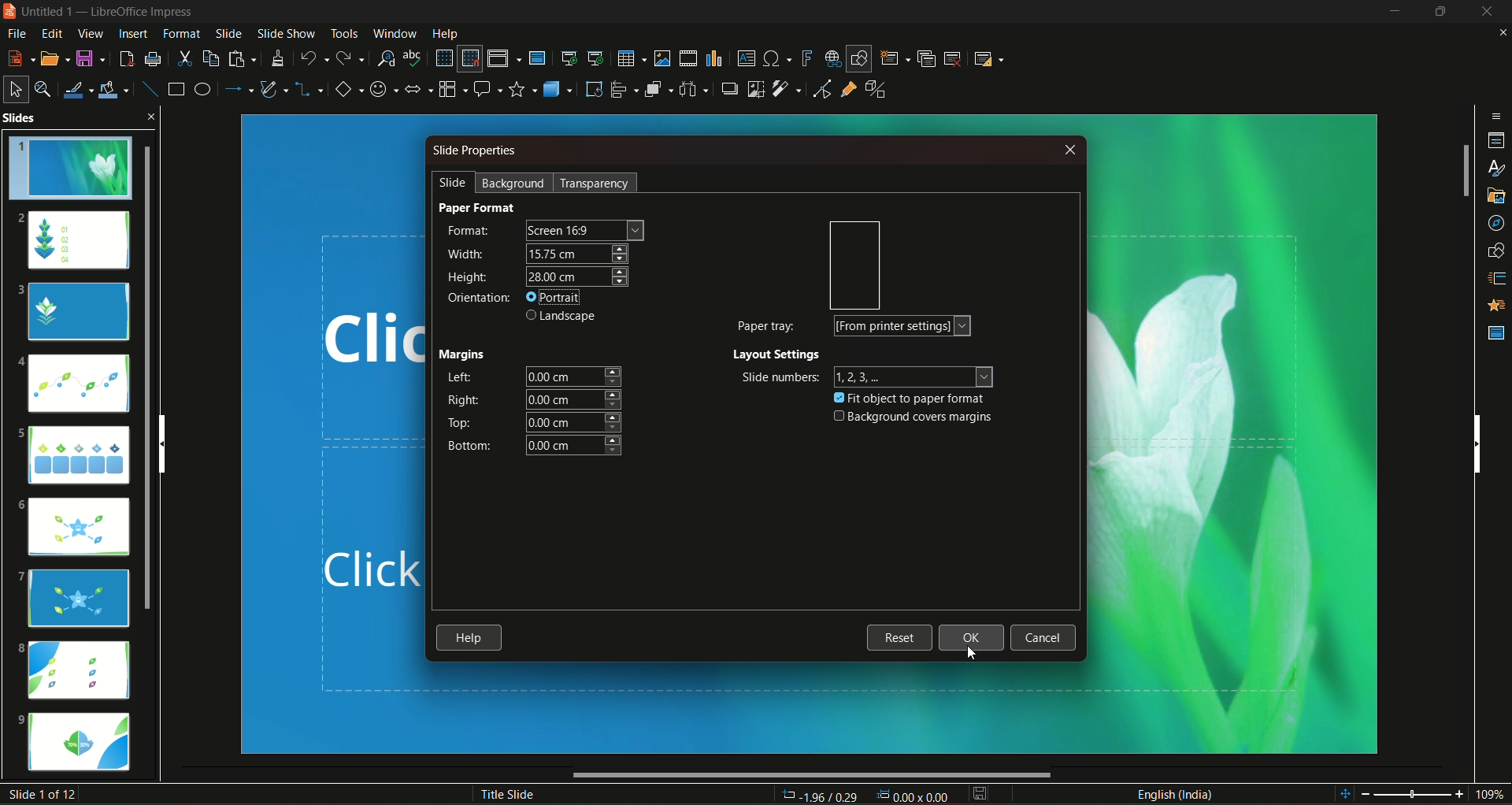  I want to click on slide layout, so click(991, 57).